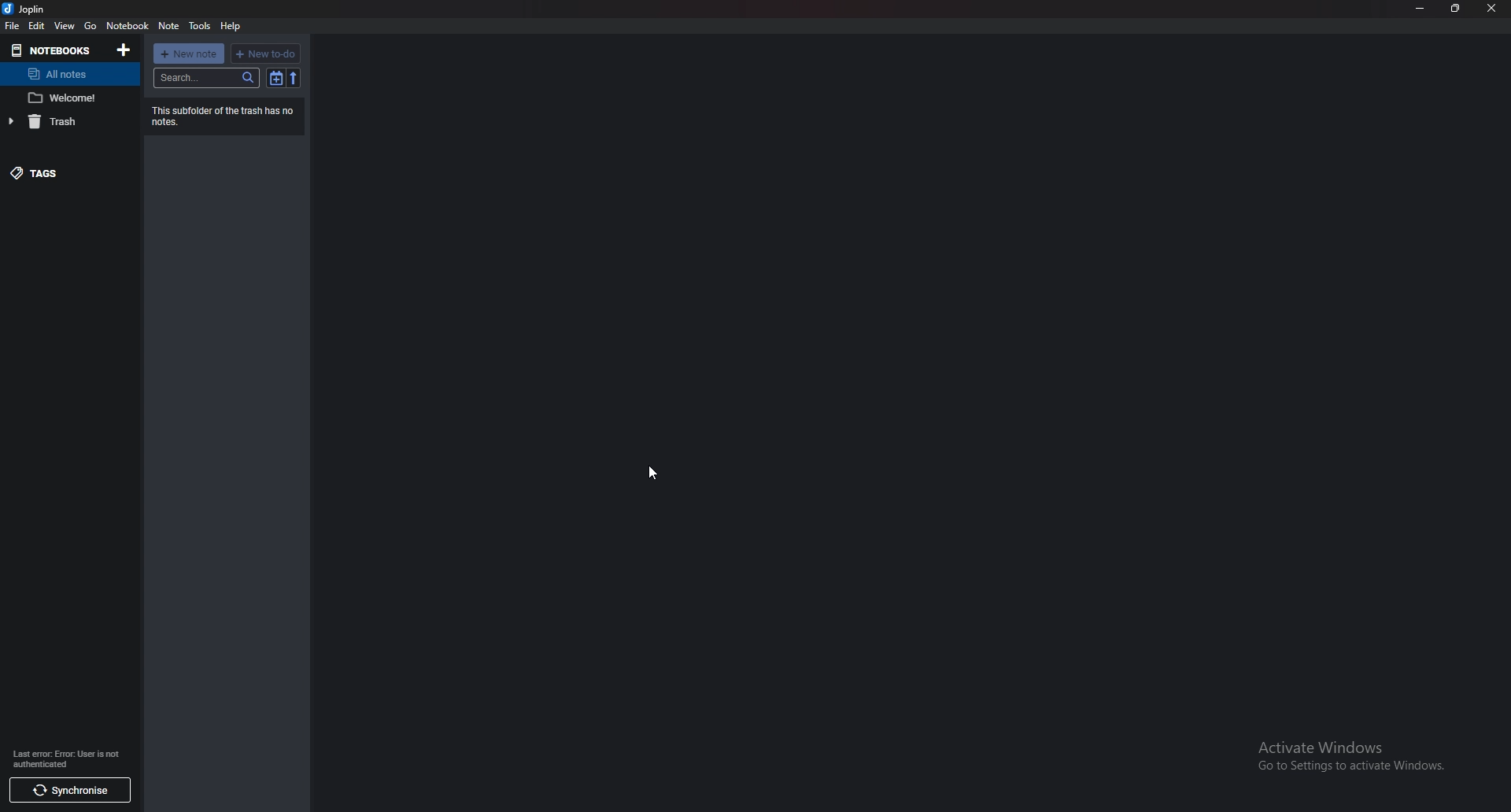 The image size is (1511, 812). I want to click on help, so click(231, 26).